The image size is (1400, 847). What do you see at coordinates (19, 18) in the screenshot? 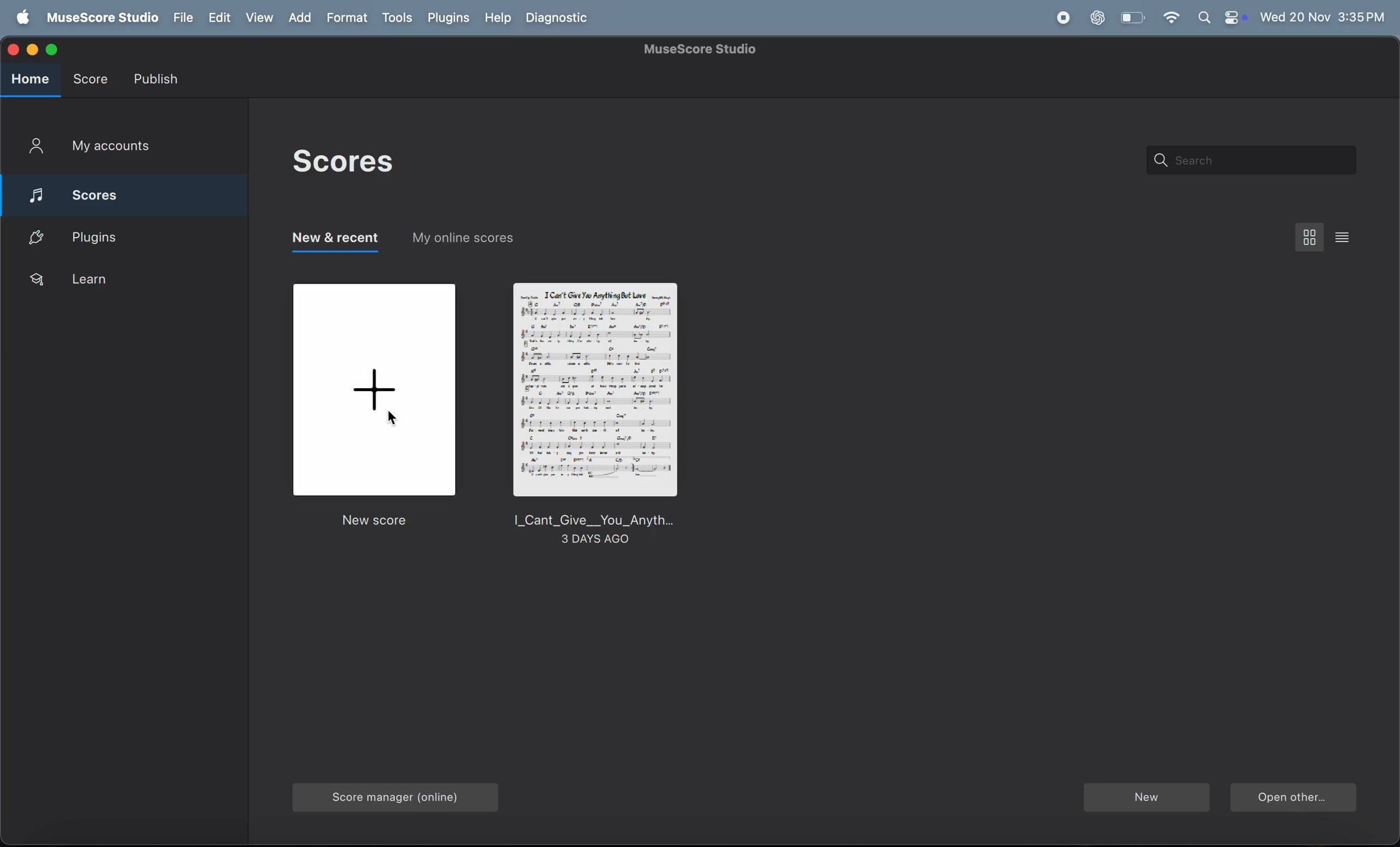
I see `apple menu` at bounding box center [19, 18].